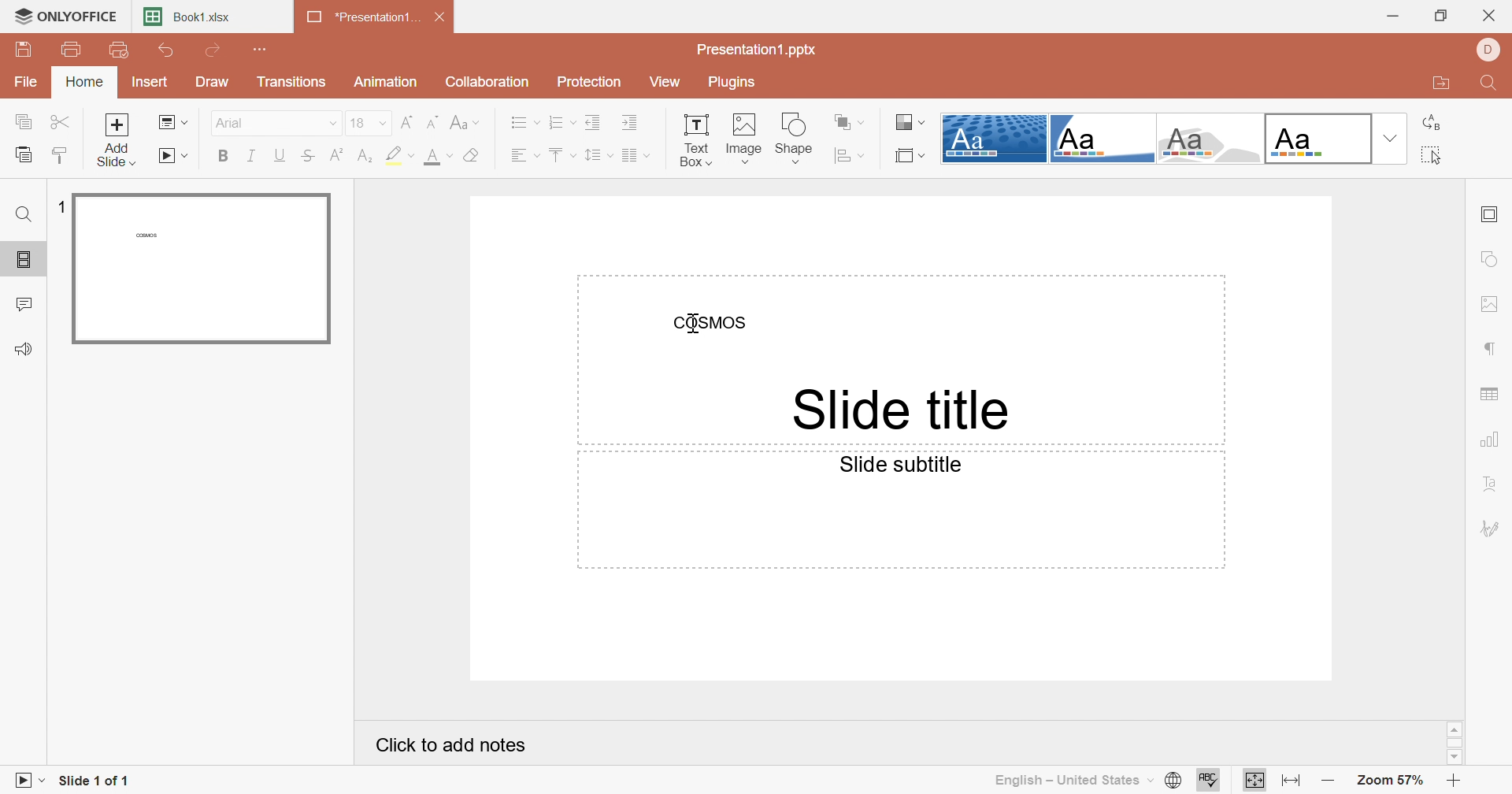 The width and height of the screenshot is (1512, 794). What do you see at coordinates (444, 742) in the screenshot?
I see `Click to add notes` at bounding box center [444, 742].